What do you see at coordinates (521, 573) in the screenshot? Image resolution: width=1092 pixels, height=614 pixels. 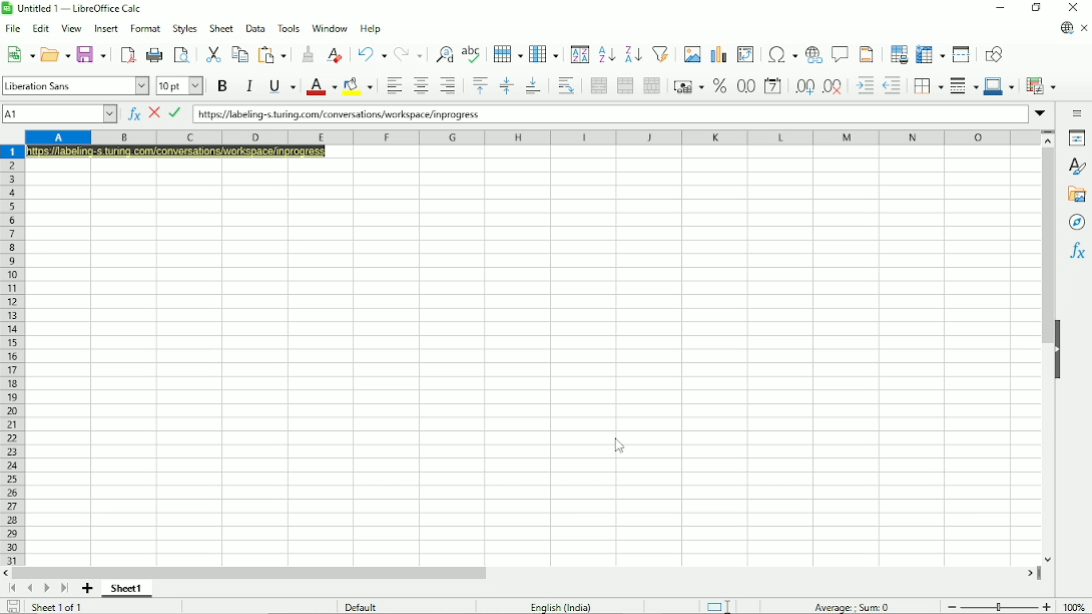 I see `Horizontal scrollbar` at bounding box center [521, 573].